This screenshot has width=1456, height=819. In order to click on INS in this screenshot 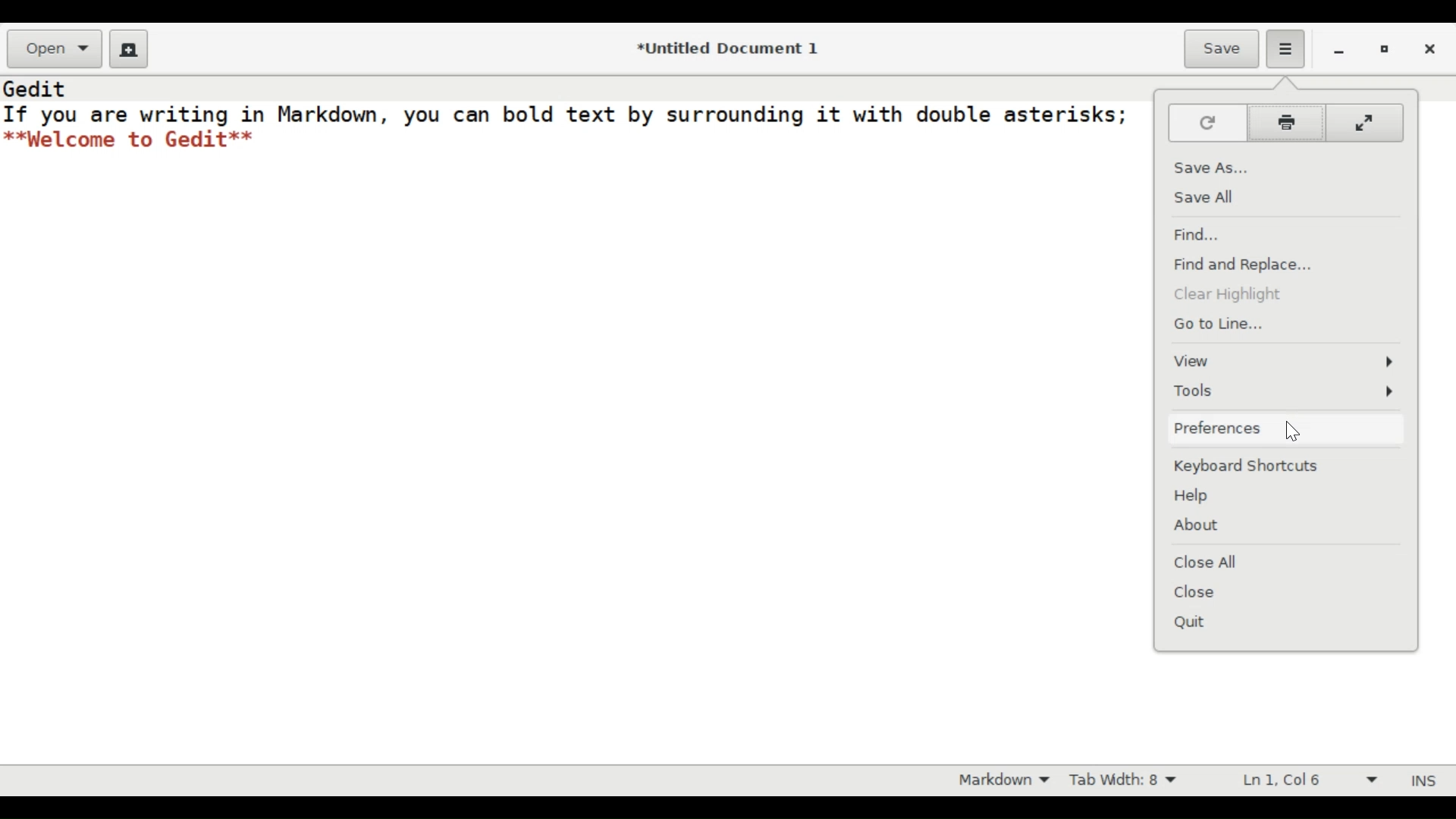, I will do `click(1426, 783)`.